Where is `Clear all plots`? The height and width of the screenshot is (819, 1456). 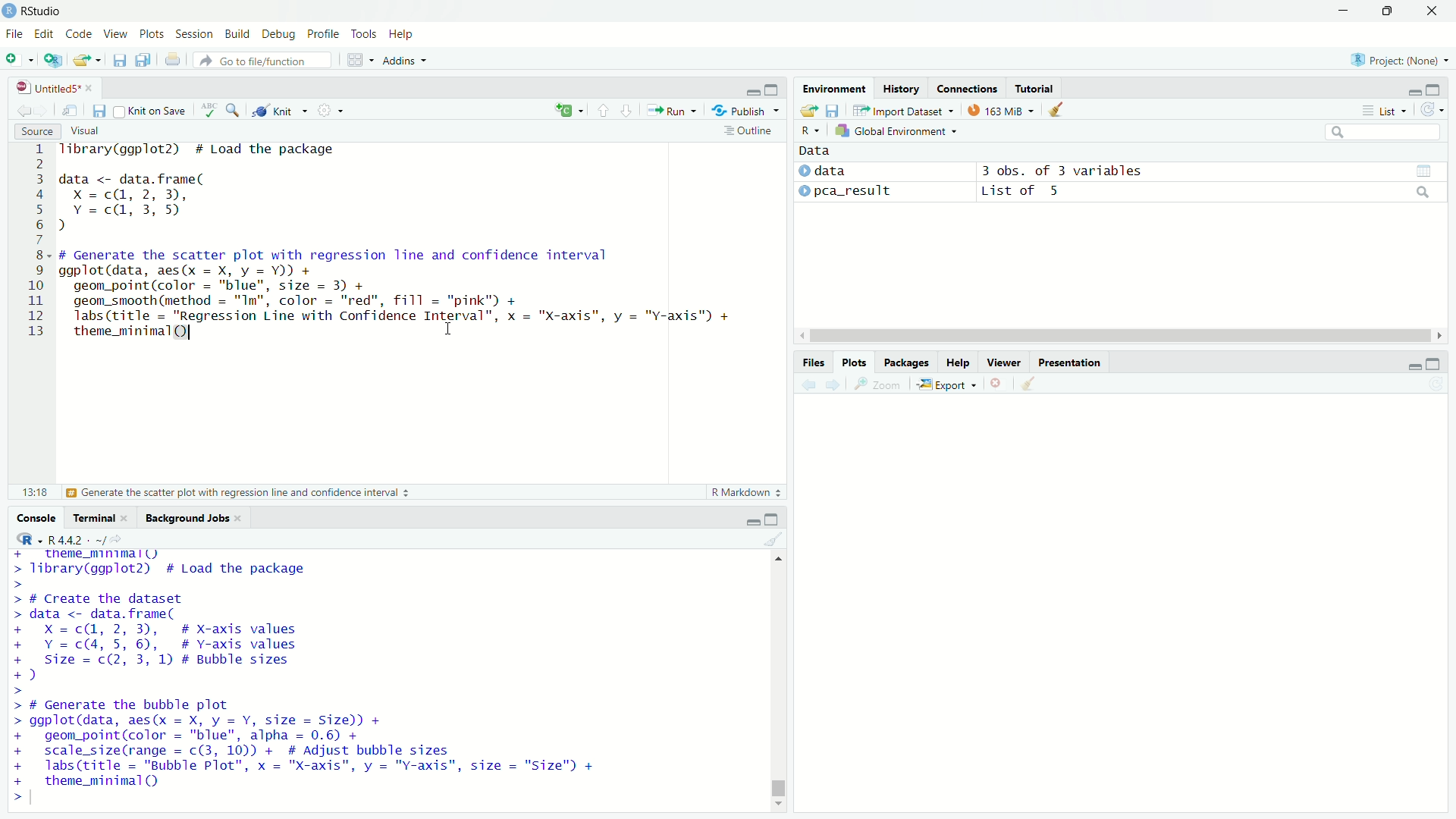 Clear all plots is located at coordinates (1028, 384).